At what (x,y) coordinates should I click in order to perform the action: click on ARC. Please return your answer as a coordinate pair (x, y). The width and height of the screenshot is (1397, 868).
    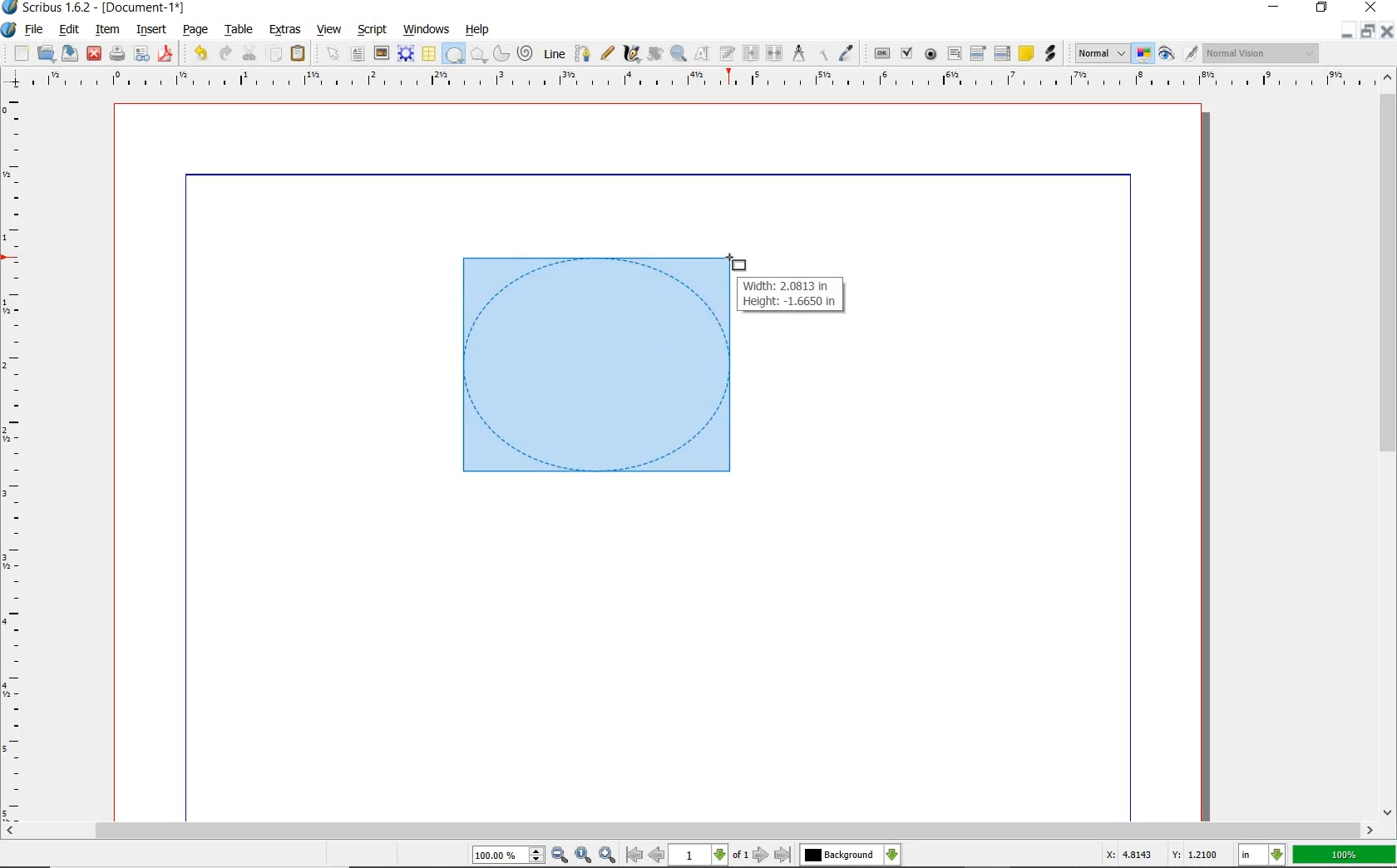
    Looking at the image, I should click on (500, 55).